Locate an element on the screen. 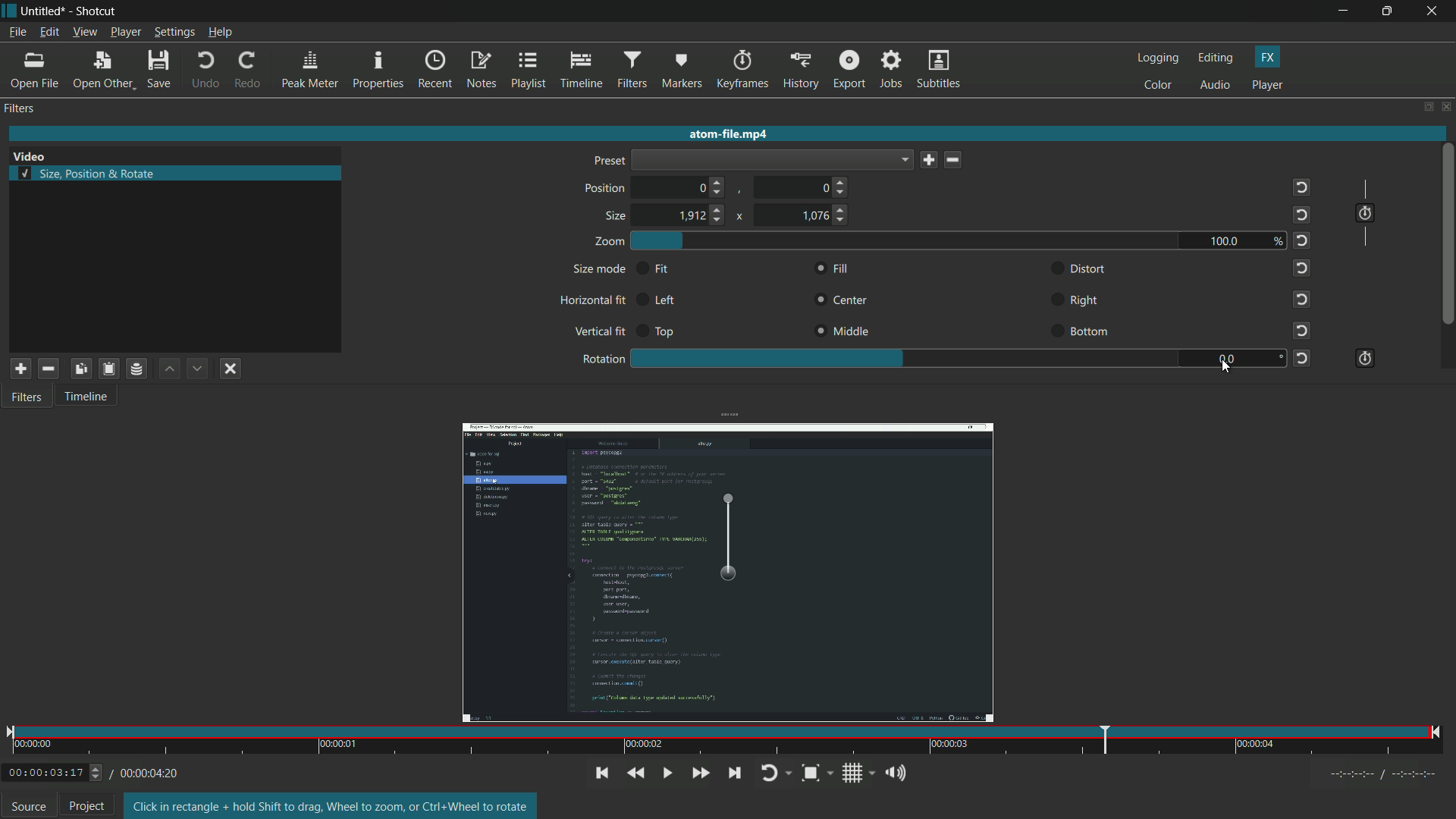 This screenshot has height=819, width=1456. maximize is located at coordinates (1391, 11).